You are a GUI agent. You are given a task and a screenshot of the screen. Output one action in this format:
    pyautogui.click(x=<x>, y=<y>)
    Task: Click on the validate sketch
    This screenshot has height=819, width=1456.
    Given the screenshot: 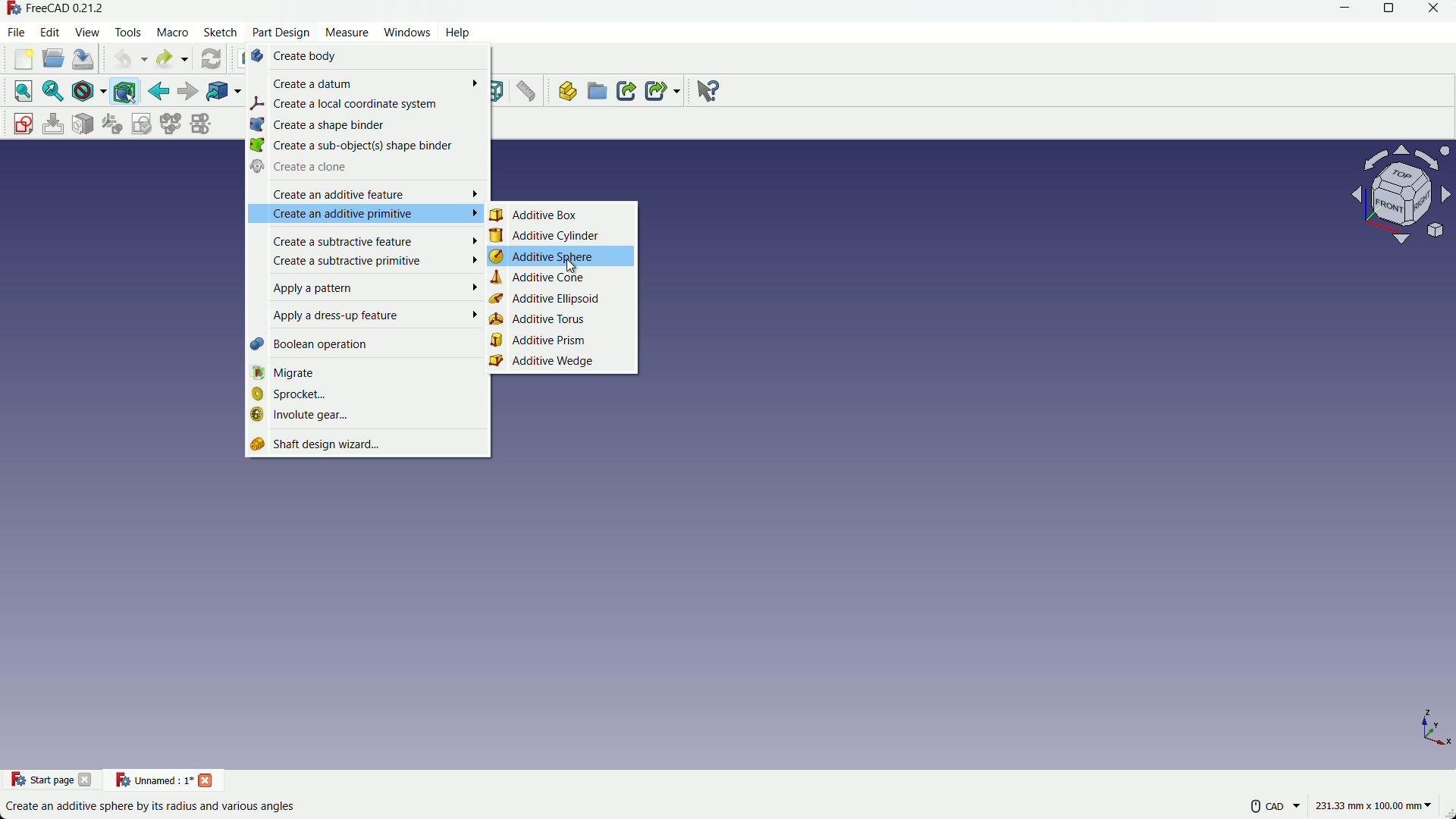 What is the action you would take?
    pyautogui.click(x=142, y=124)
    